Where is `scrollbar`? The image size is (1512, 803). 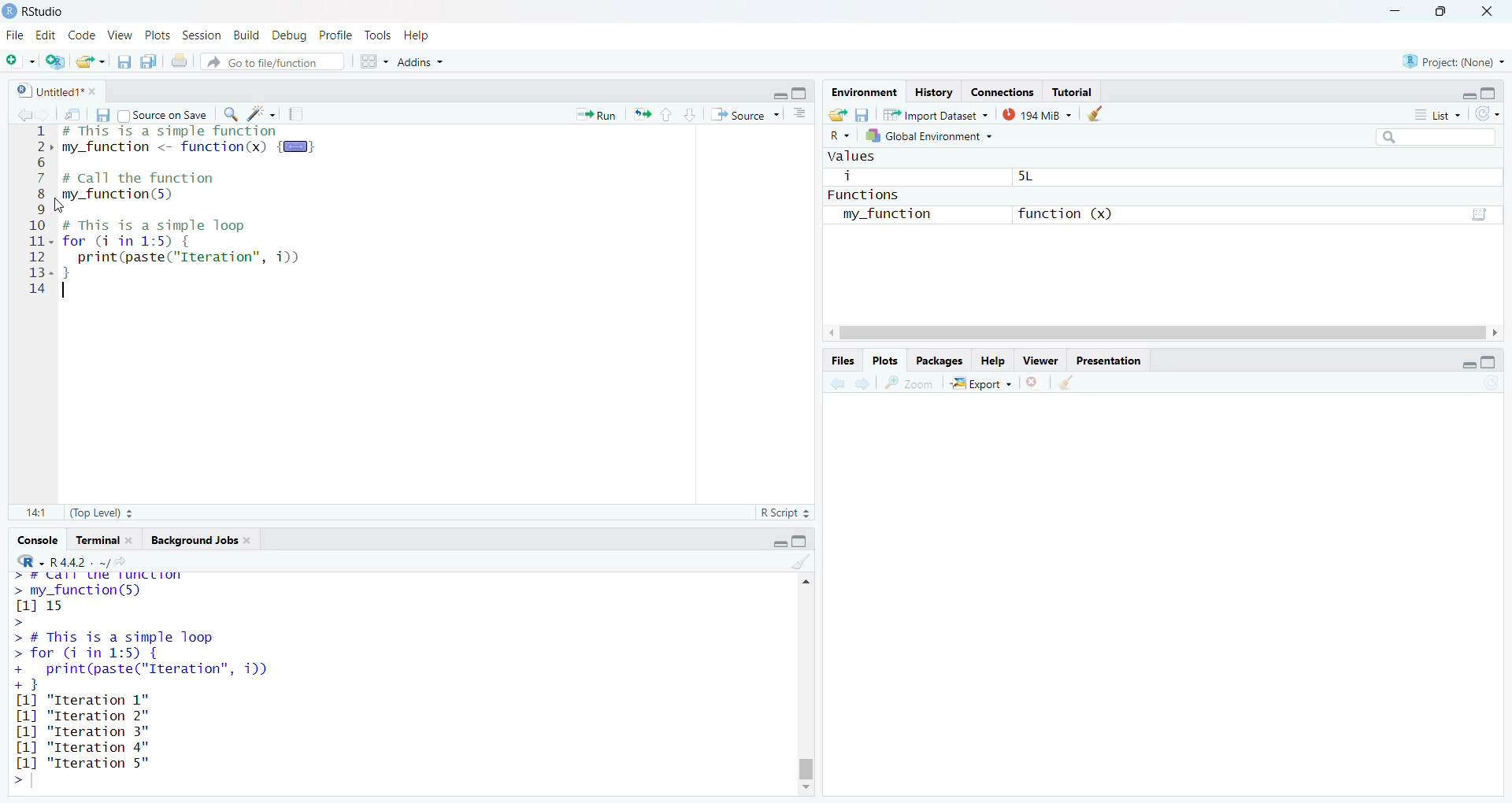
scrollbar is located at coordinates (806, 689).